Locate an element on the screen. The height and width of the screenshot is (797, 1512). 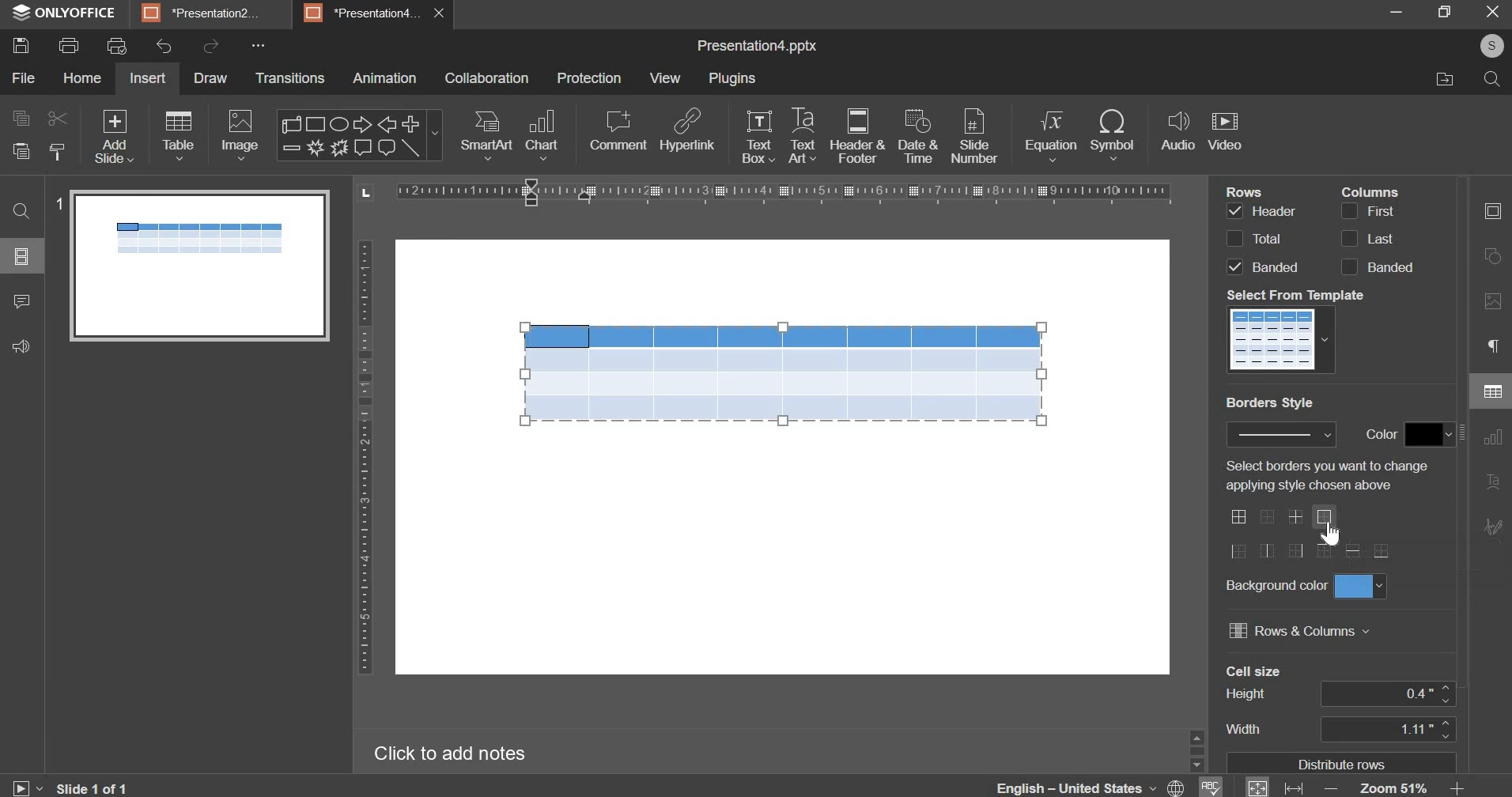
ONLYOFFICE is located at coordinates (62, 11).